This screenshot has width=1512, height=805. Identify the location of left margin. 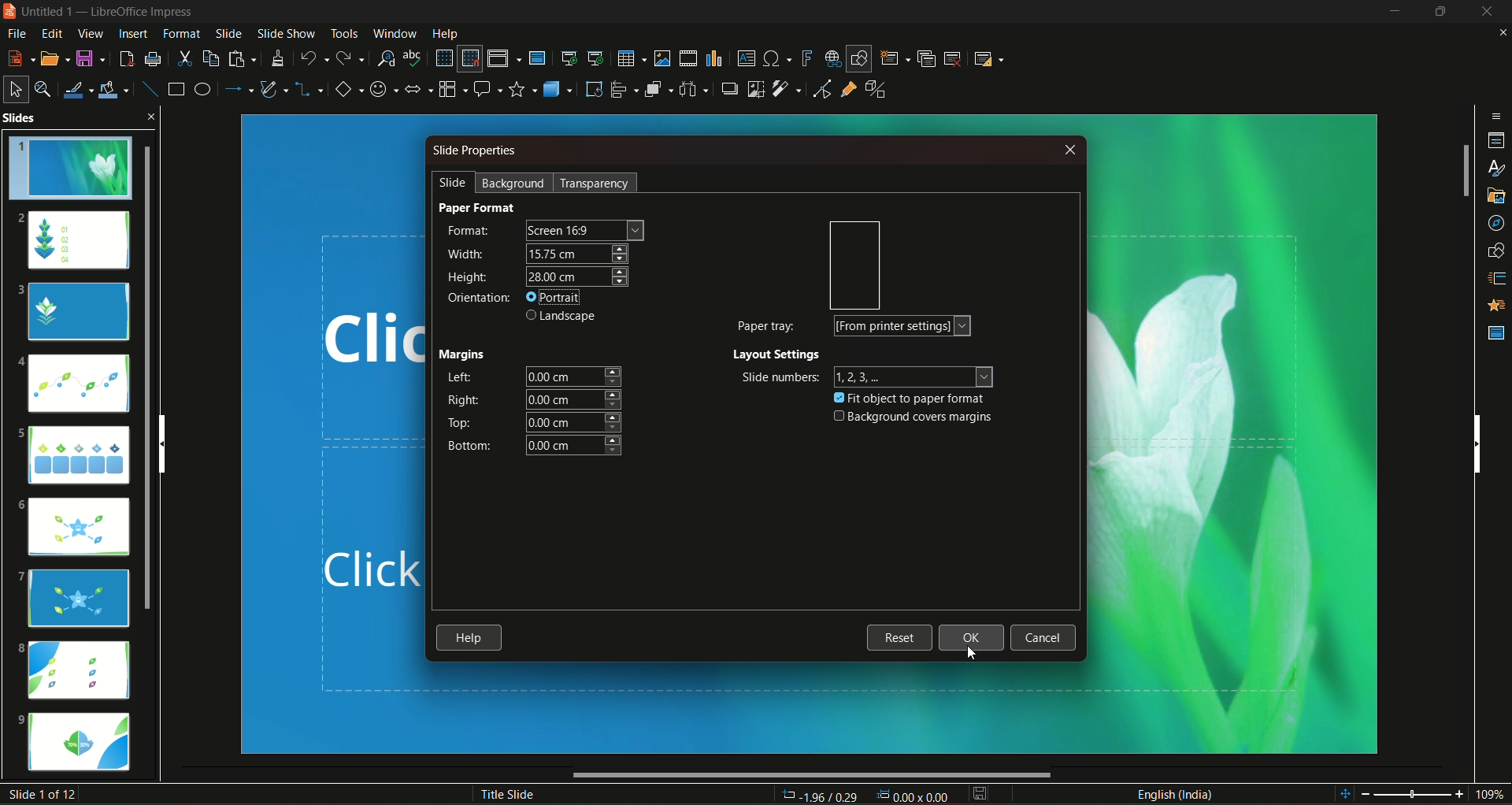
(574, 376).